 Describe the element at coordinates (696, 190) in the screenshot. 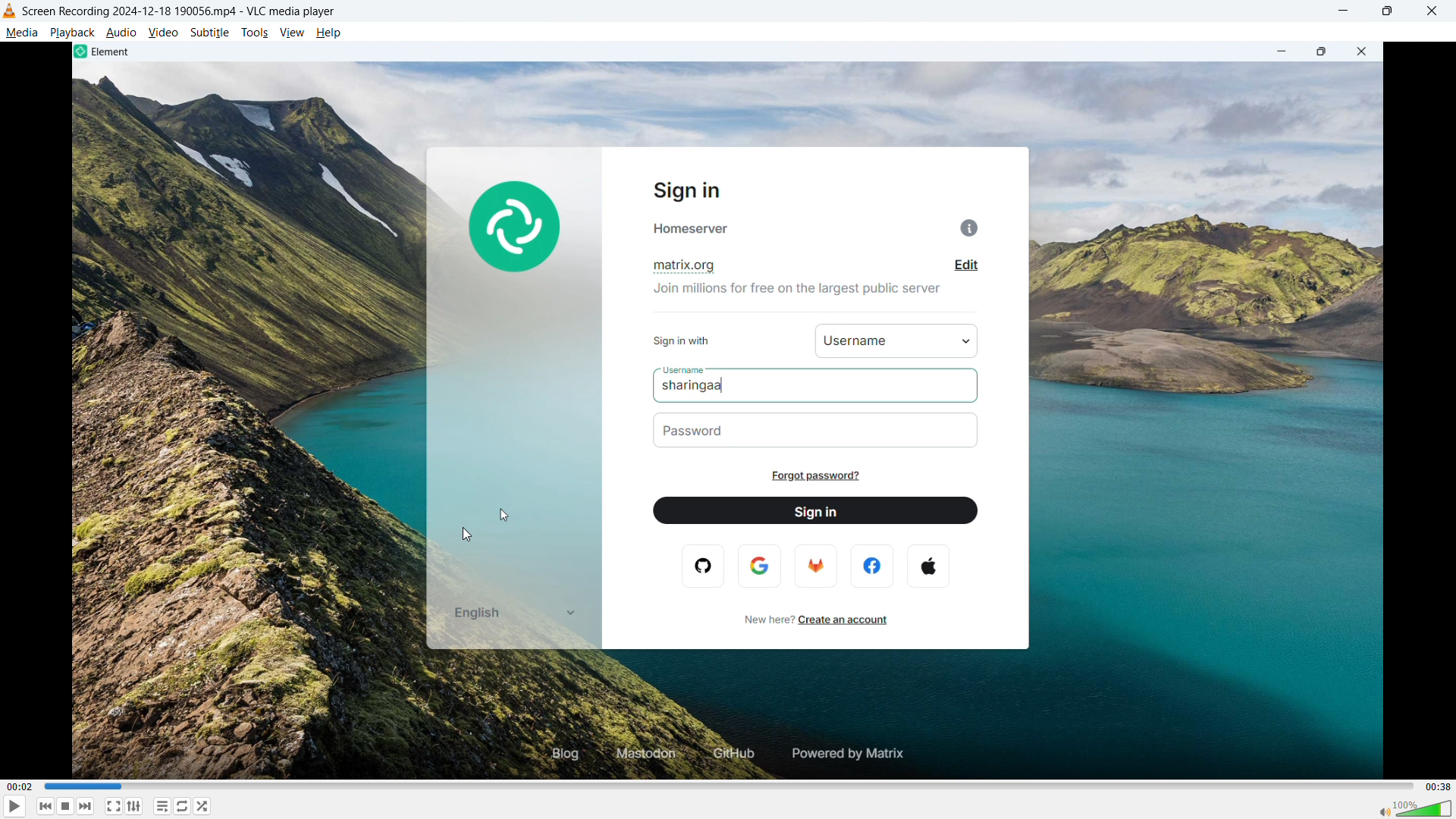

I see `Signin` at that location.